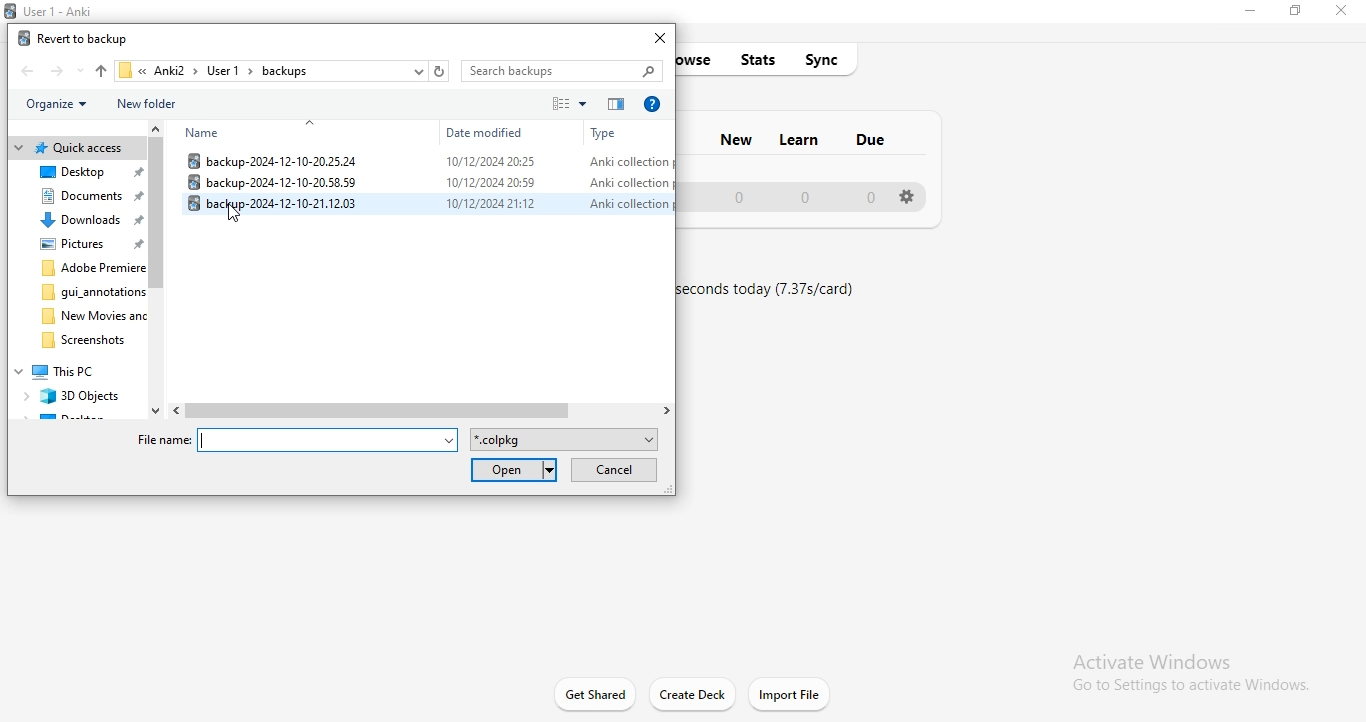 This screenshot has height=722, width=1366. I want to click on organise, so click(62, 105).